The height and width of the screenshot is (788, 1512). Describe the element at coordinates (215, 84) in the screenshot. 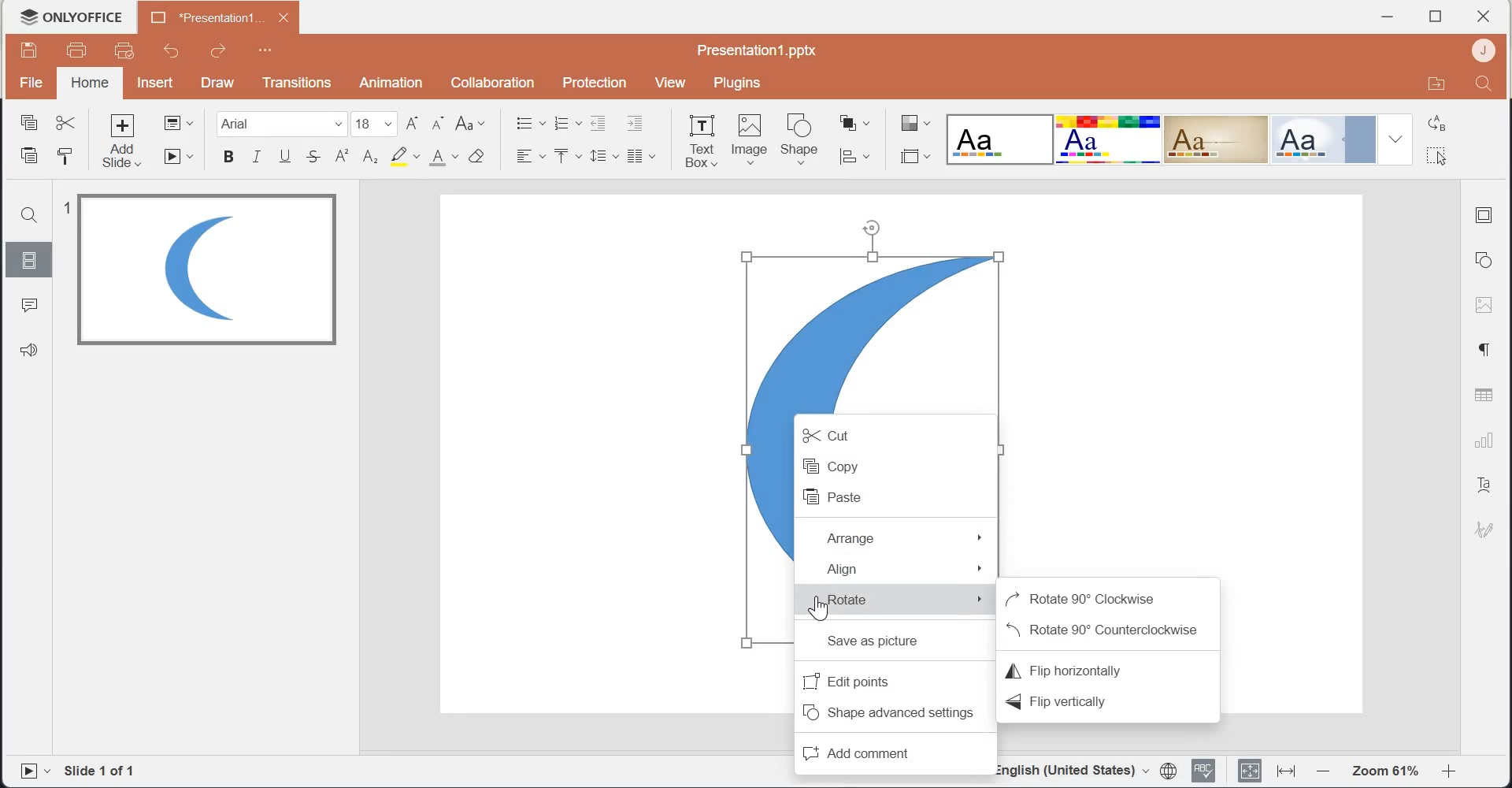

I see `Draw` at that location.